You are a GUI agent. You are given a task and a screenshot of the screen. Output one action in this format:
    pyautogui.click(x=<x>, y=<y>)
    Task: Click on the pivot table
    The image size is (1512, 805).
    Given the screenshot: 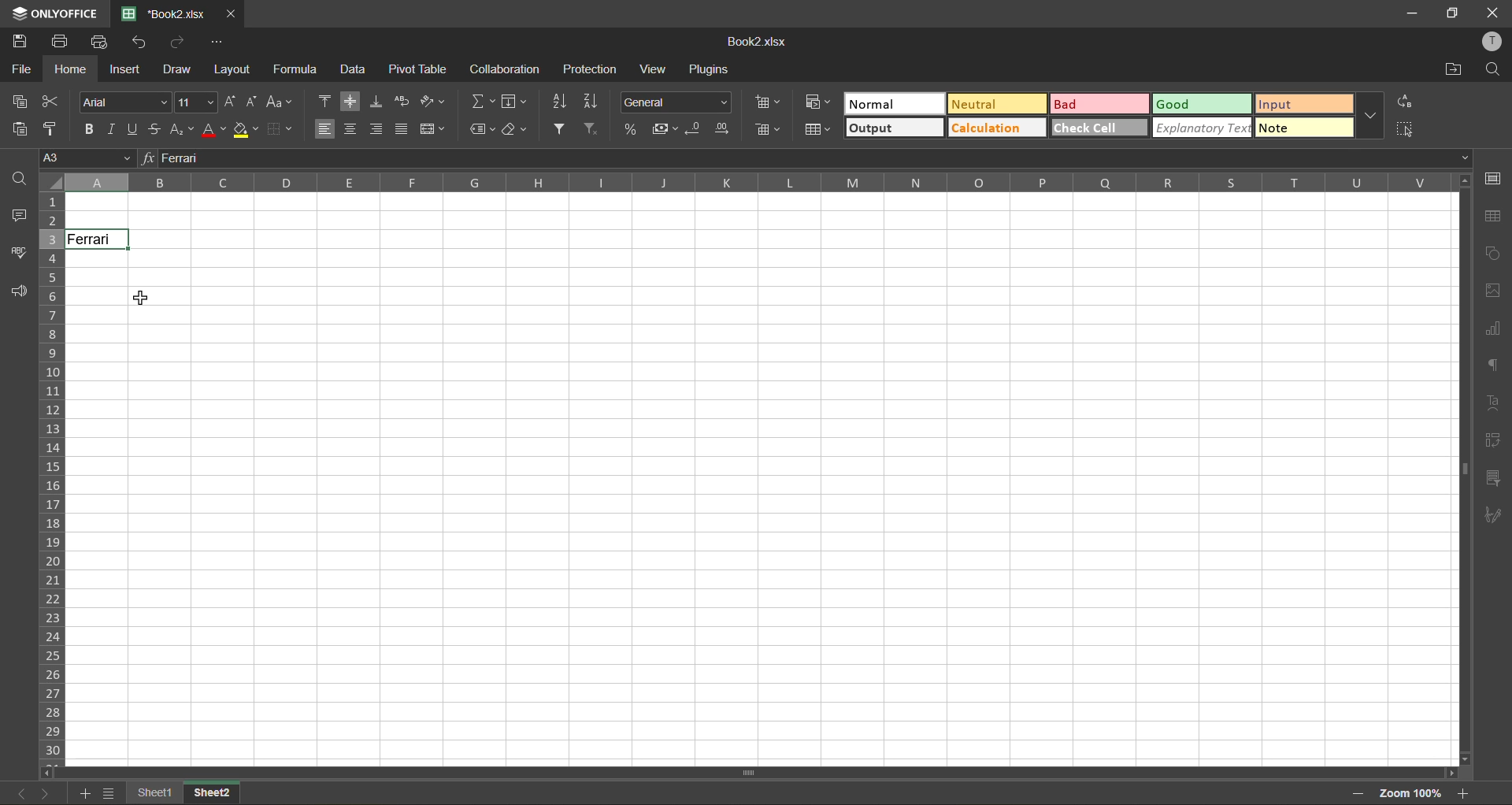 What is the action you would take?
    pyautogui.click(x=418, y=69)
    